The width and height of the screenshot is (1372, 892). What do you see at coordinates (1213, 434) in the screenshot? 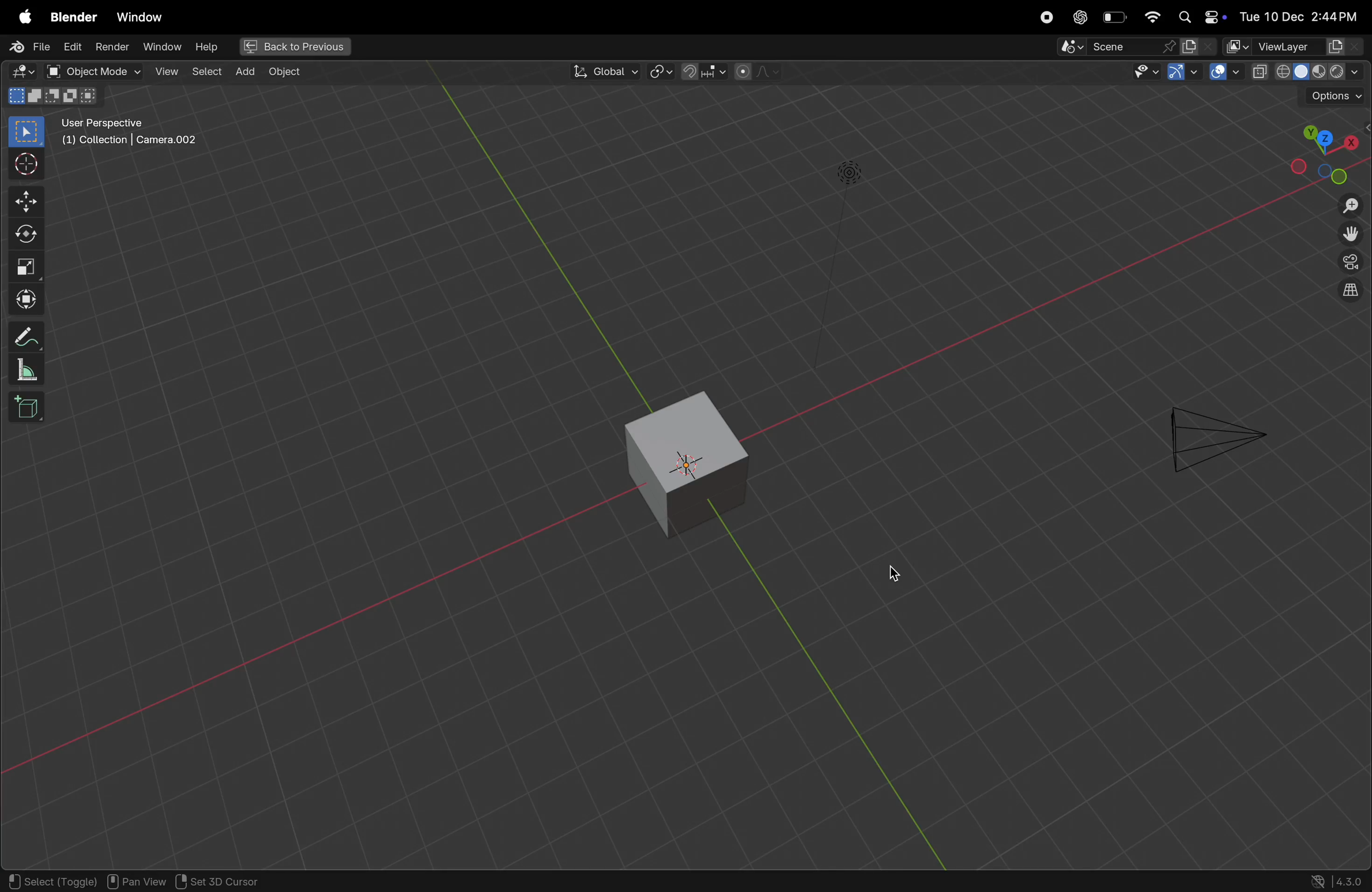
I see `camera` at bounding box center [1213, 434].